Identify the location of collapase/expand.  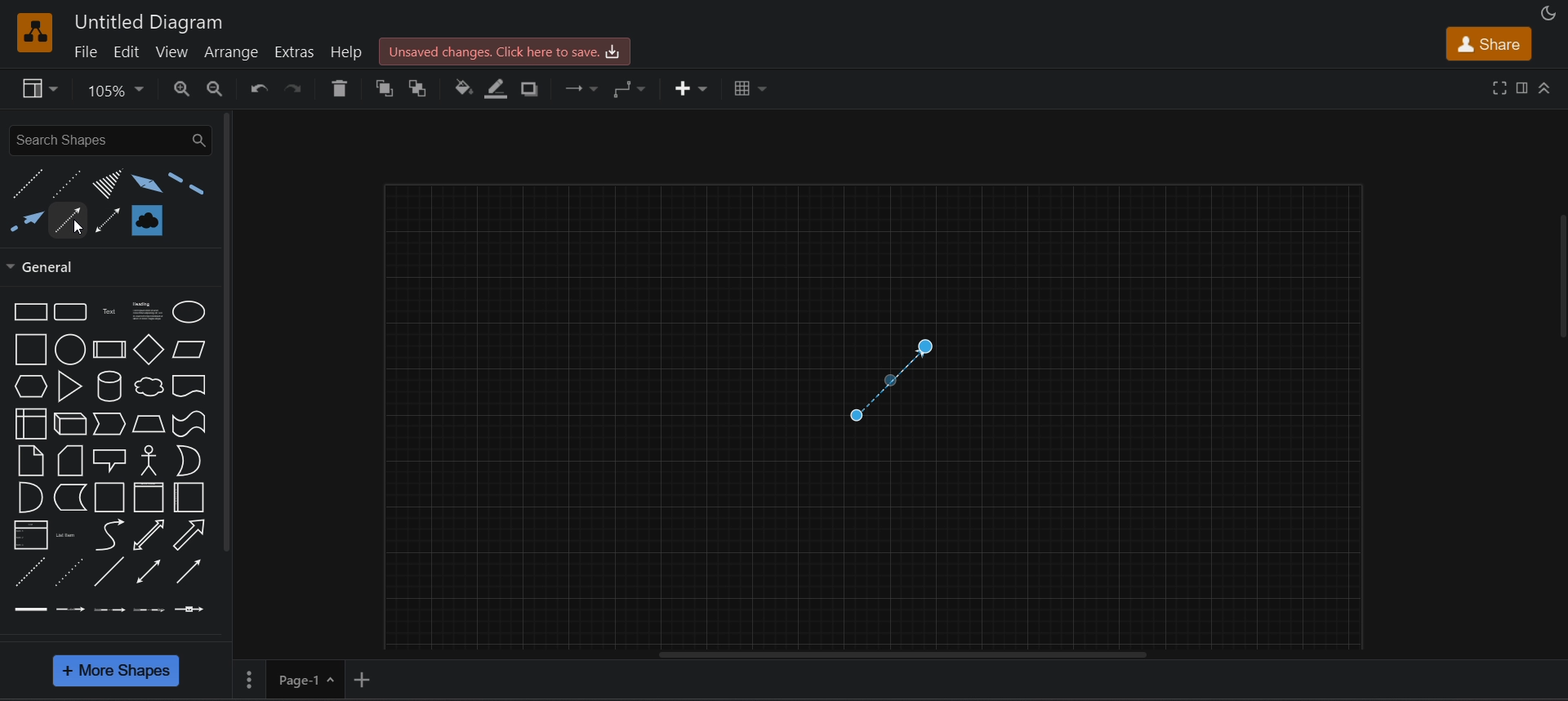
(1547, 89).